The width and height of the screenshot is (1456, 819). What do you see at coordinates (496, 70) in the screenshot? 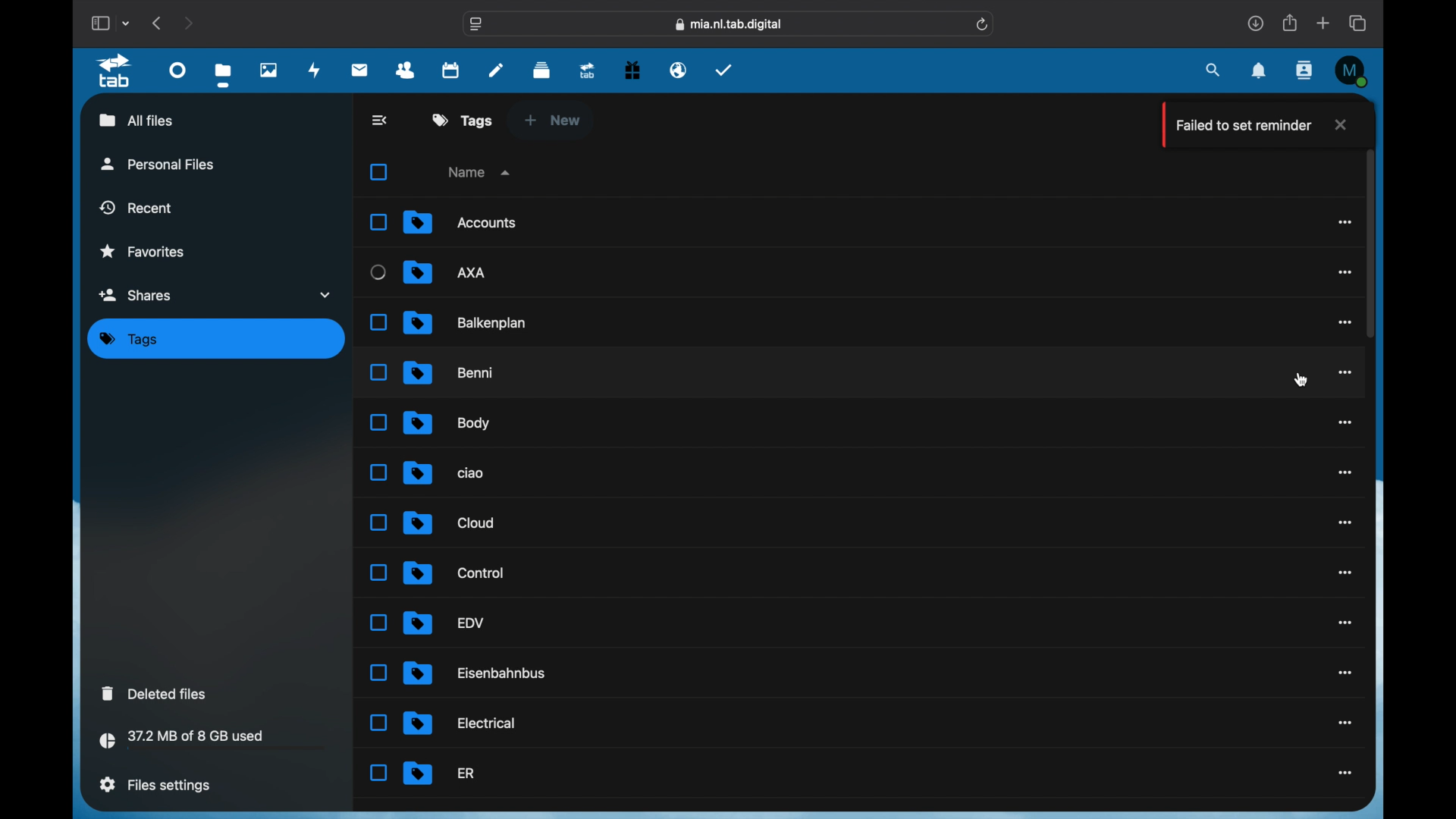
I see `notes` at bounding box center [496, 70].